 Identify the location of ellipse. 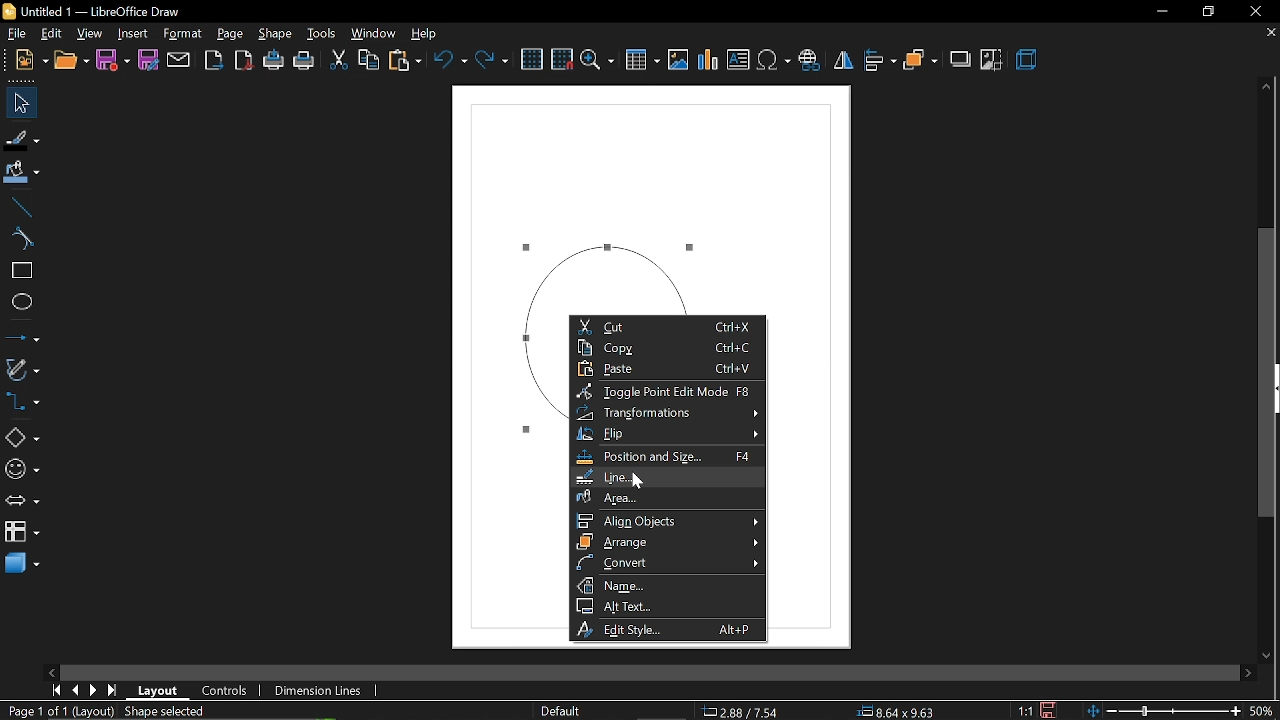
(21, 301).